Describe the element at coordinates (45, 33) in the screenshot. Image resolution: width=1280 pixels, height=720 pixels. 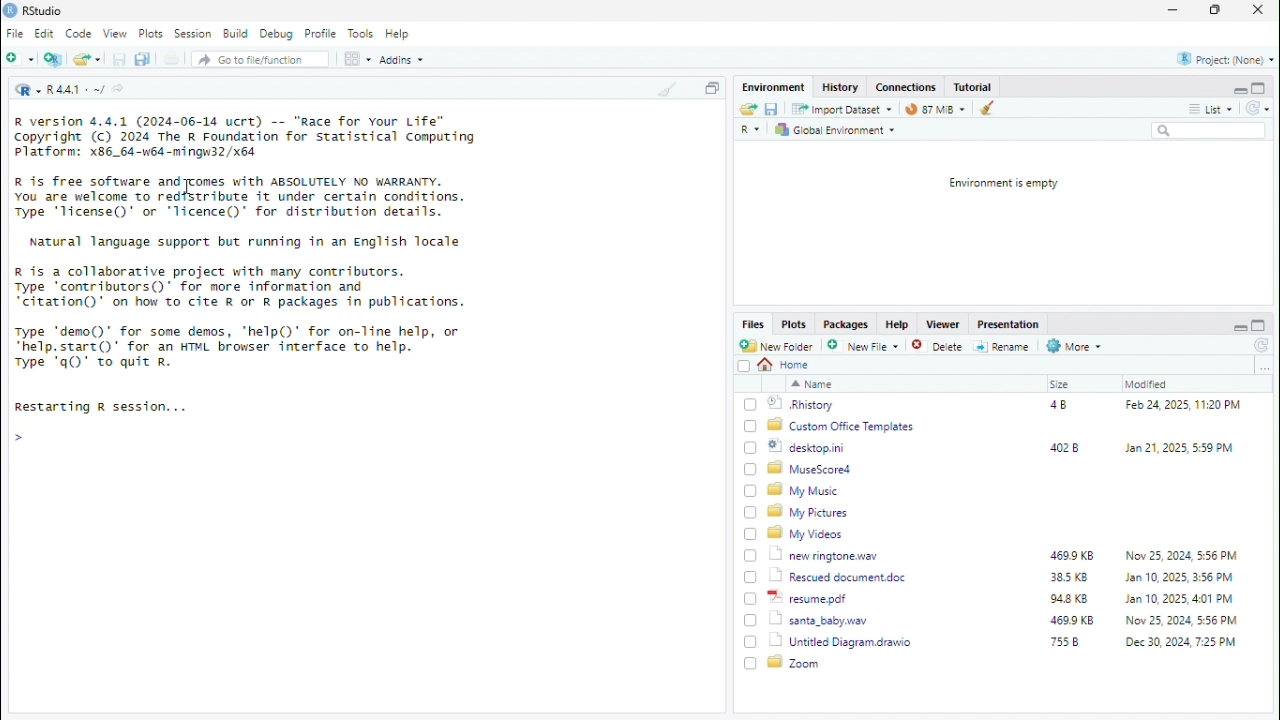
I see `Edit` at that location.